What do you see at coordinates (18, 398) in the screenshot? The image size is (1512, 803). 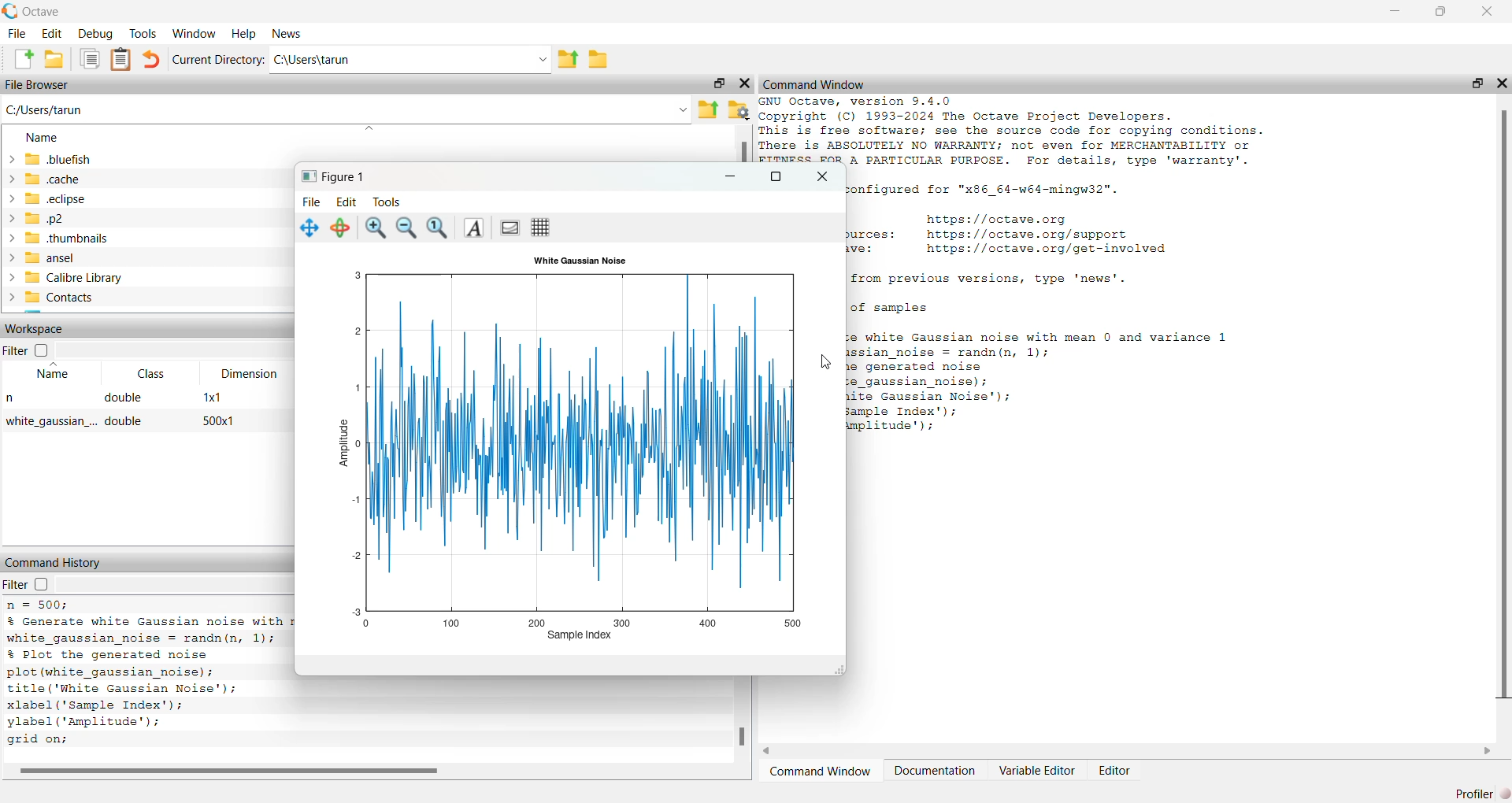 I see `n` at bounding box center [18, 398].